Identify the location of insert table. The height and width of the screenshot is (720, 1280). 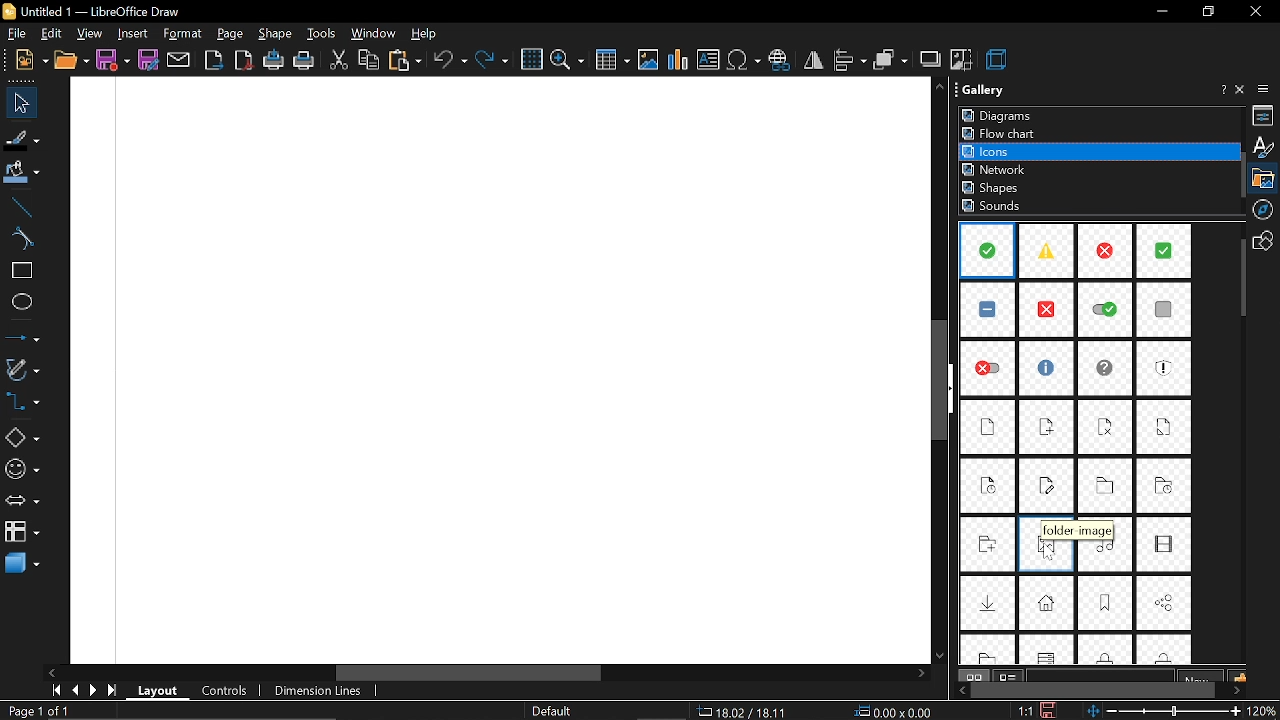
(611, 61).